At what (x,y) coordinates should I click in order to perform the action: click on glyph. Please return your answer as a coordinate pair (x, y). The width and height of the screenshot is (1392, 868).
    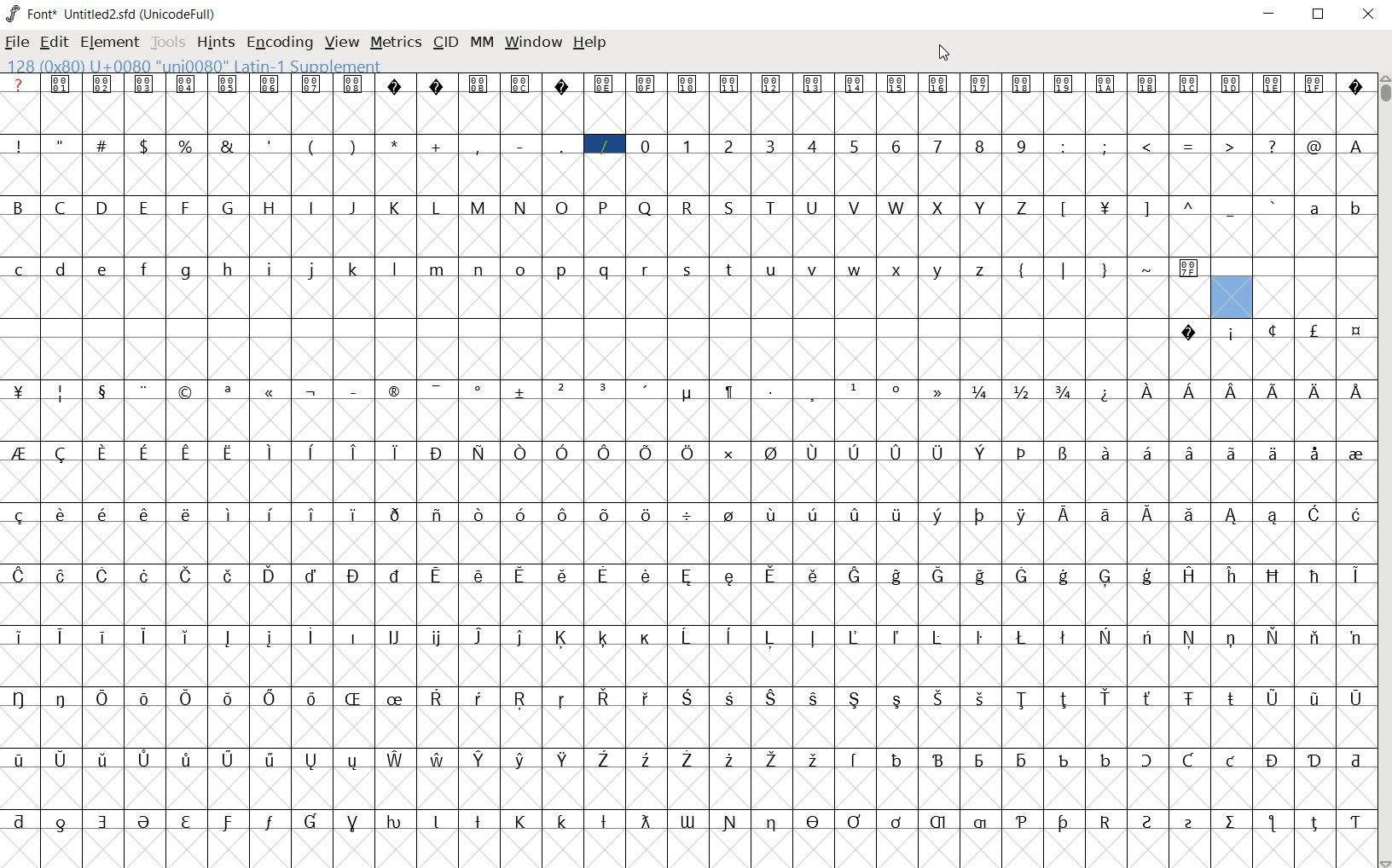
    Looking at the image, I should click on (563, 390).